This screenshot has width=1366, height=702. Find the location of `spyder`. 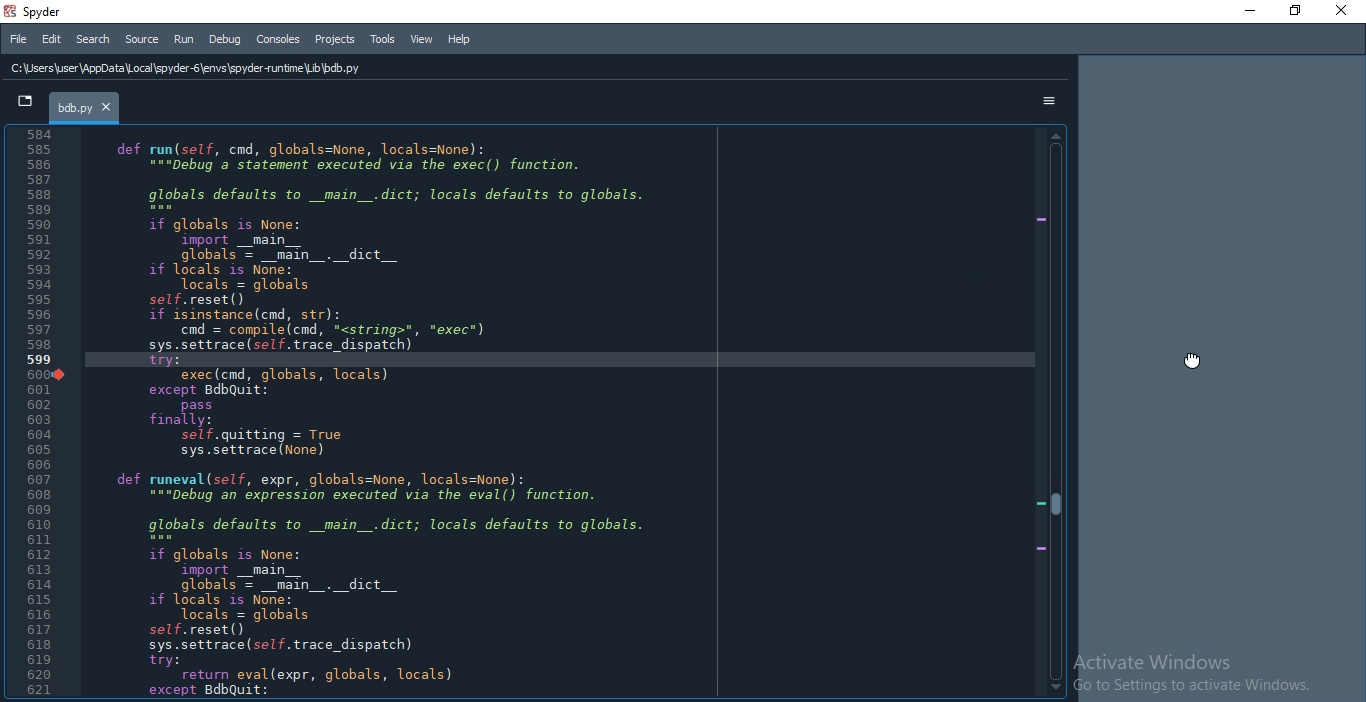

spyder is located at coordinates (46, 11).